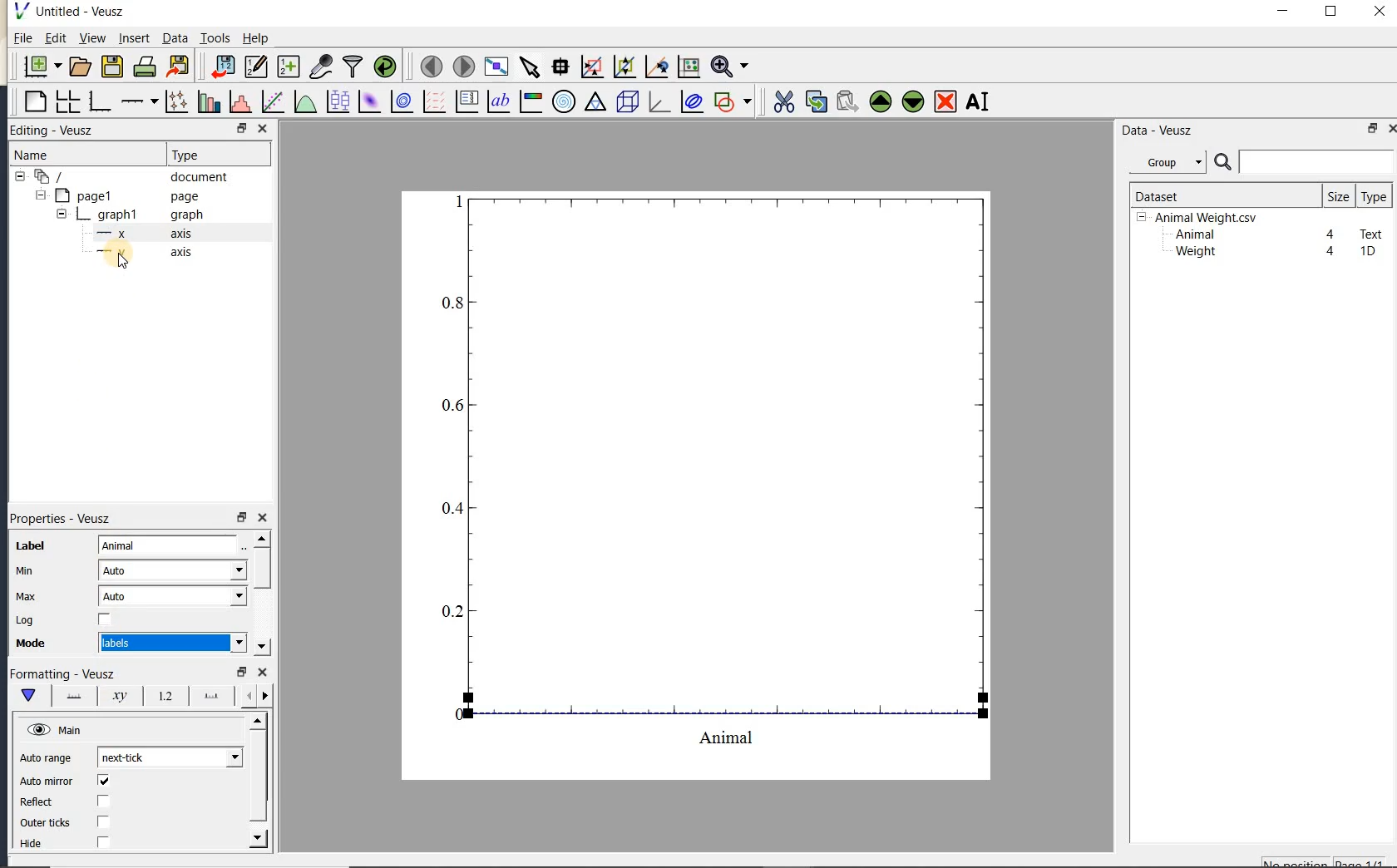  I want to click on select items from the graph or scroll, so click(531, 67).